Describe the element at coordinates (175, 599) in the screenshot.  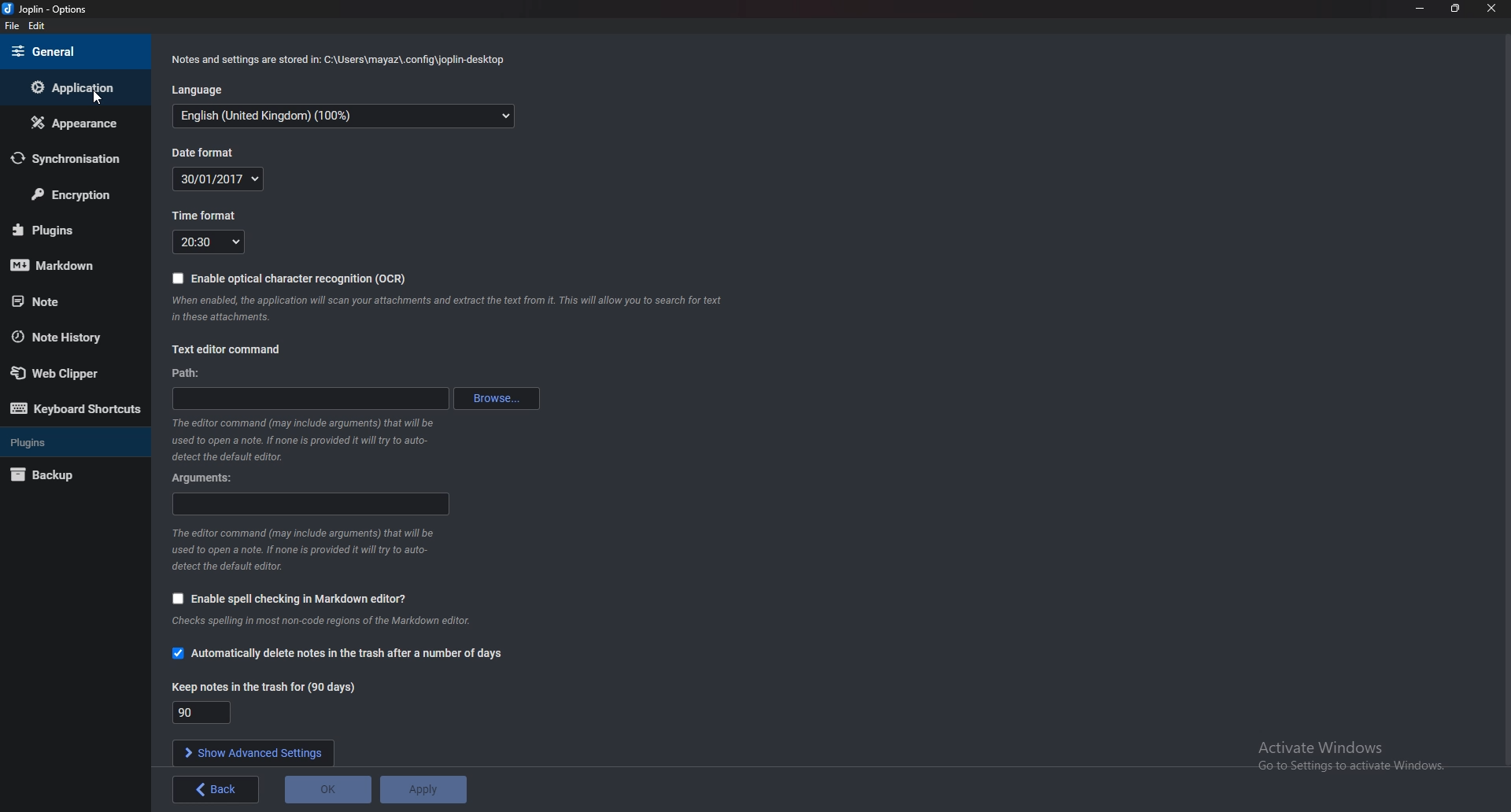
I see `checkbox` at that location.